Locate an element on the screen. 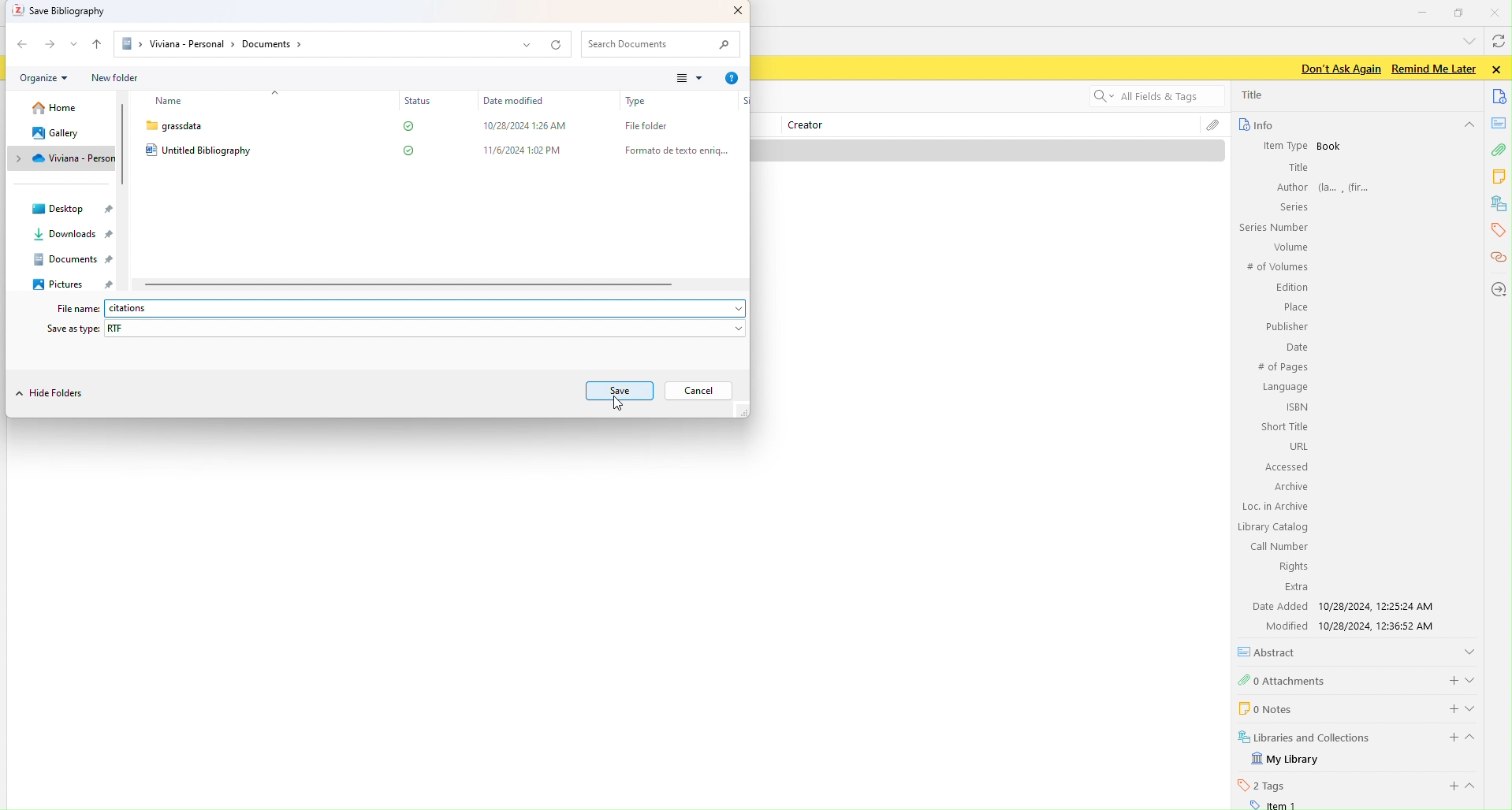  add is located at coordinates (1447, 738).